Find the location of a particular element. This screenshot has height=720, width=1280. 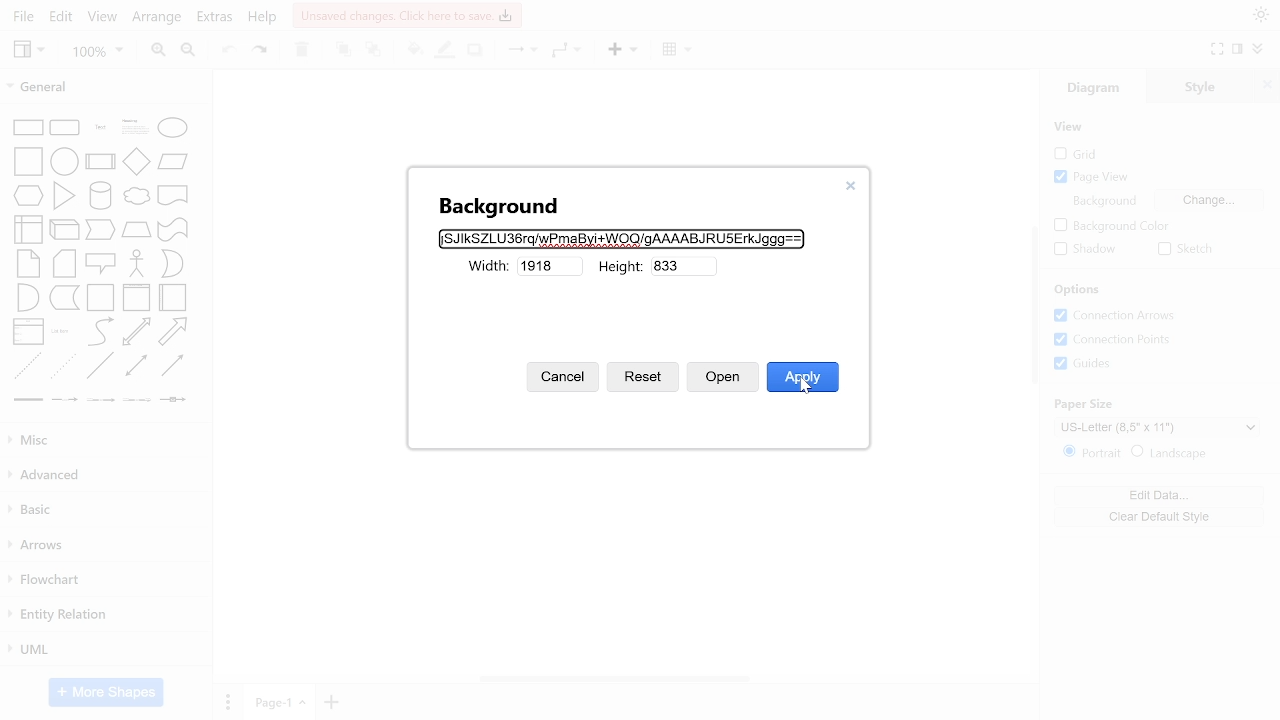

general shapes is located at coordinates (101, 401).